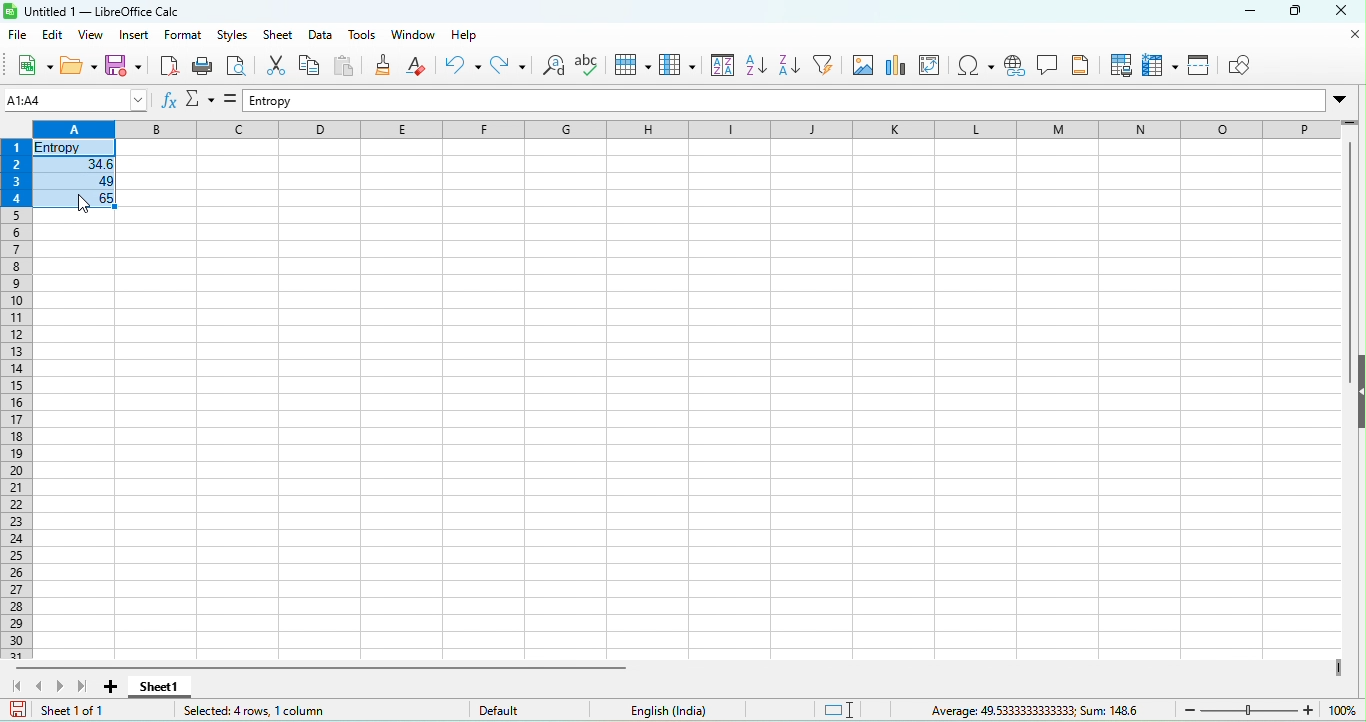 This screenshot has width=1366, height=722. Describe the element at coordinates (28, 65) in the screenshot. I see `new` at that location.